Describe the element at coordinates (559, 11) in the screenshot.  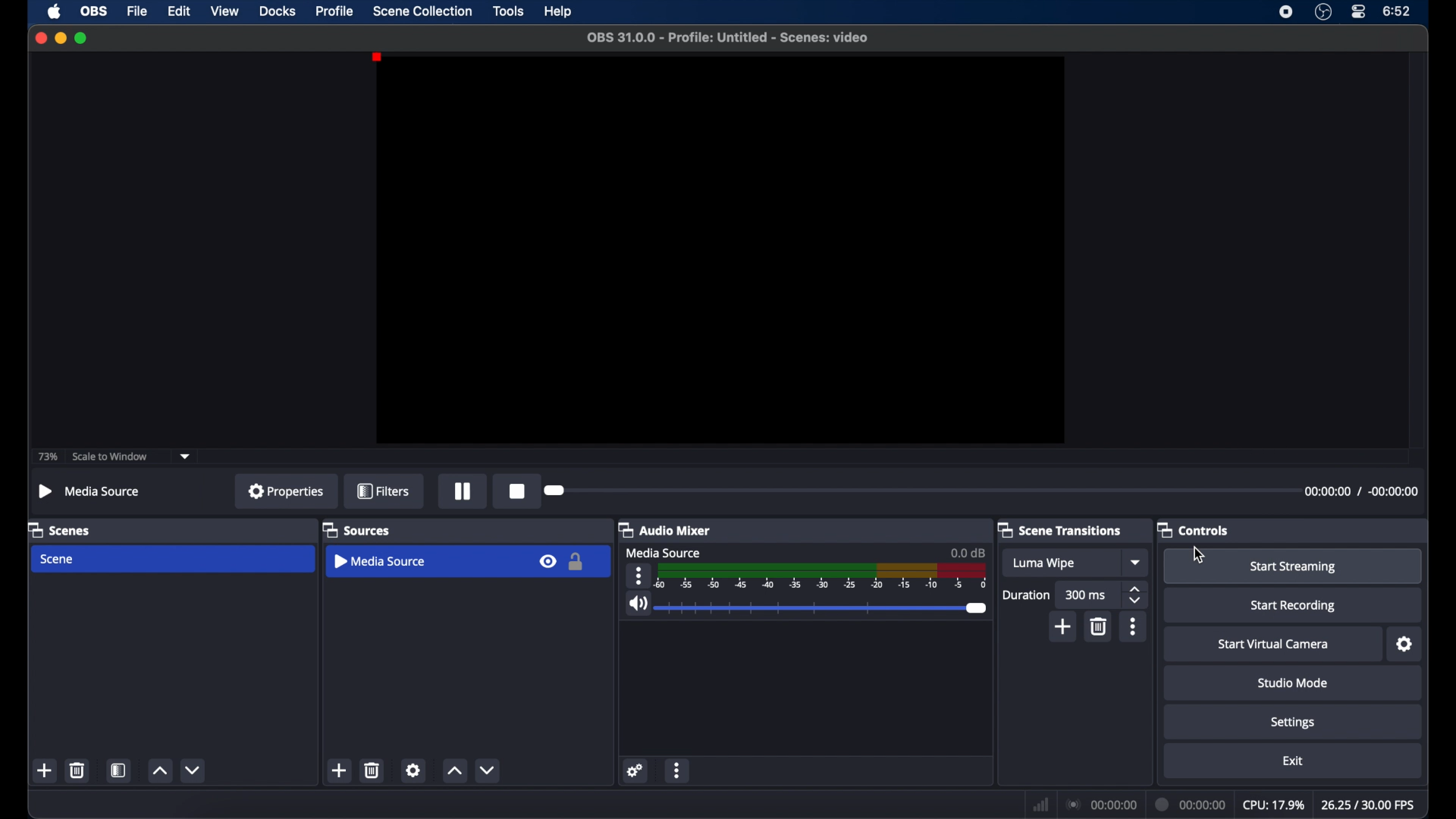
I see `help` at that location.